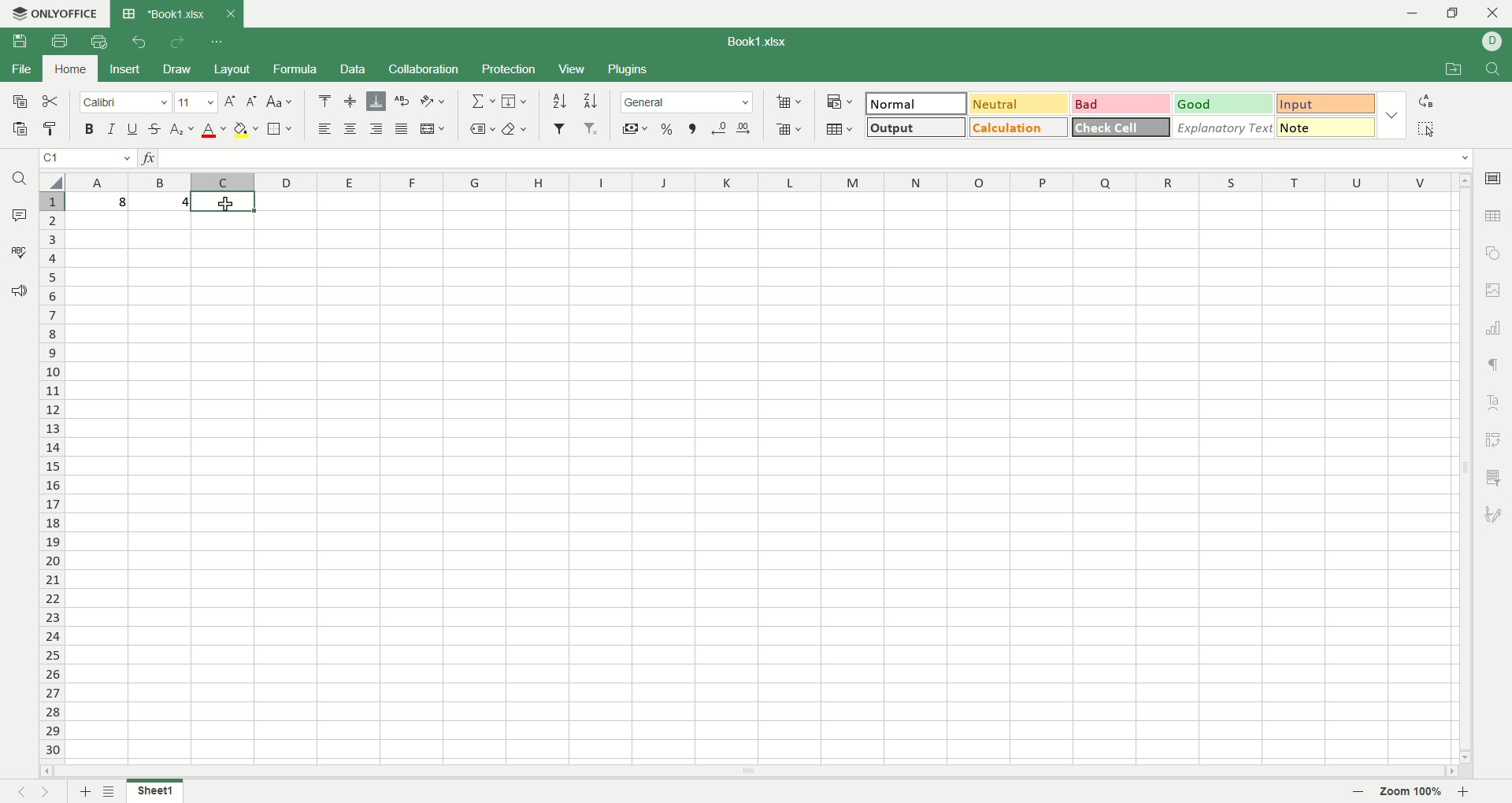 The width and height of the screenshot is (1512, 803). Describe the element at coordinates (1391, 114) in the screenshot. I see `style options` at that location.